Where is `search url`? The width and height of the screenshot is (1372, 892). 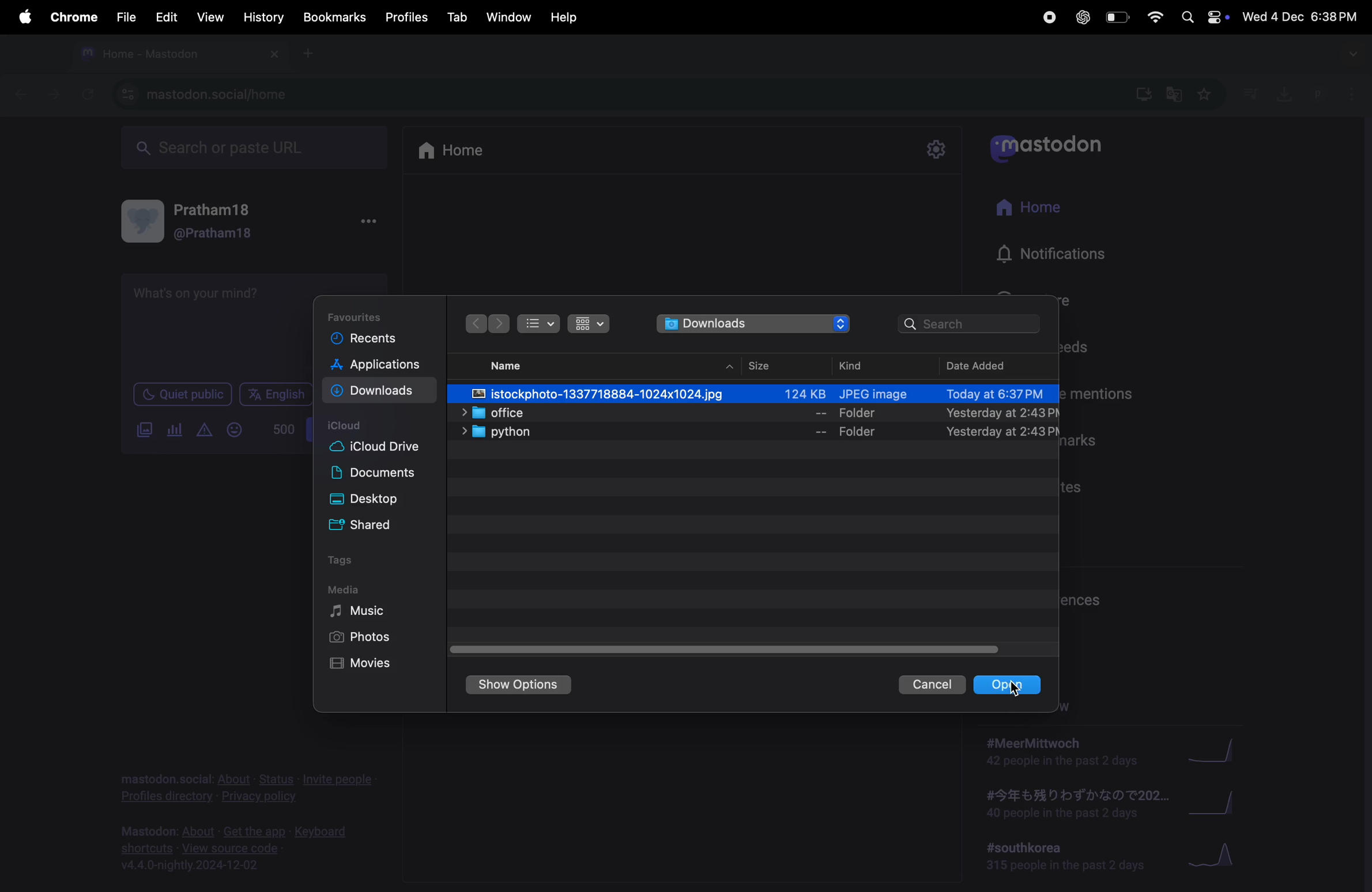
search url is located at coordinates (251, 148).